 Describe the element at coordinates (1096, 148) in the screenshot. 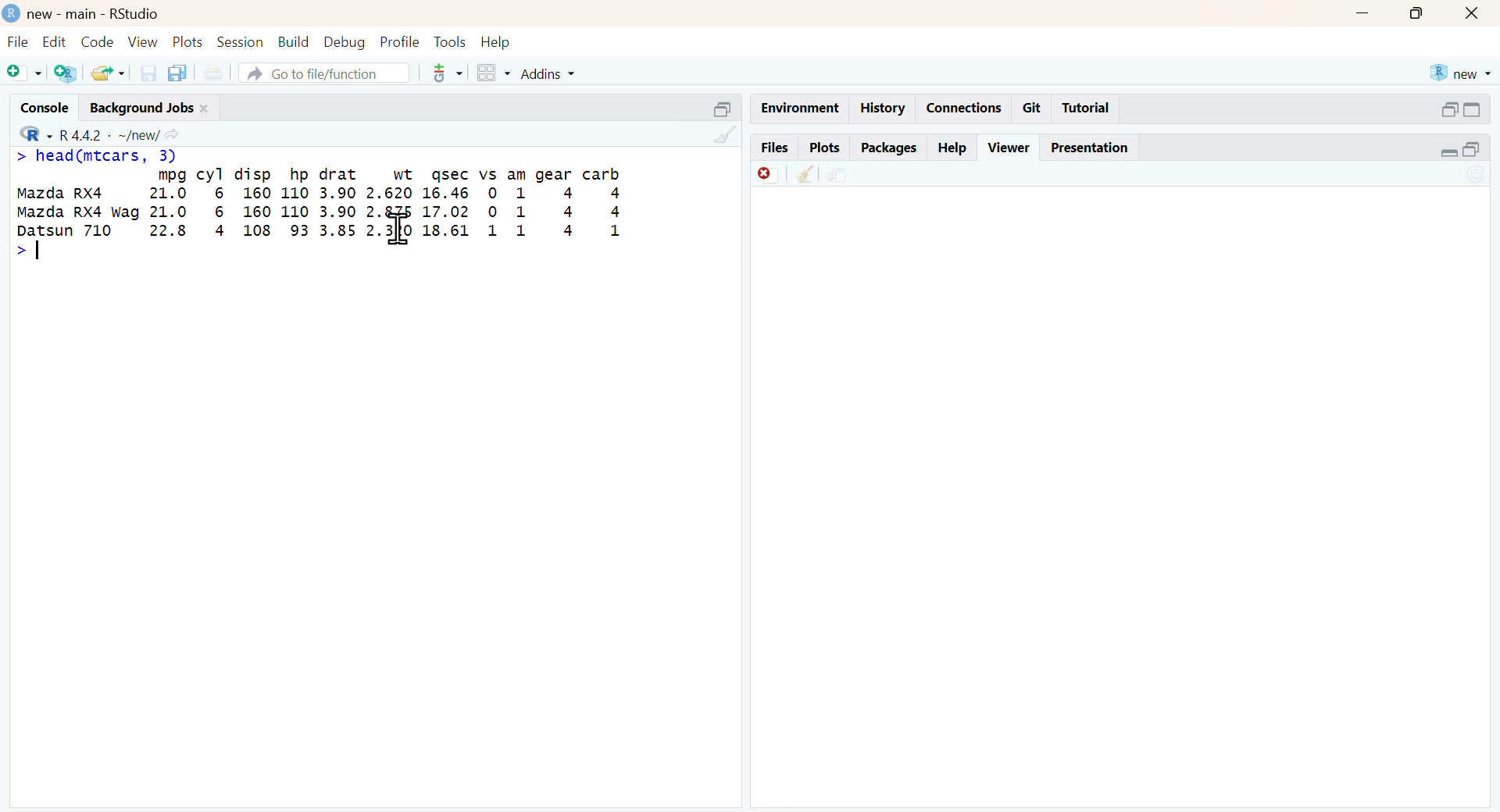

I see `Presentation` at that location.